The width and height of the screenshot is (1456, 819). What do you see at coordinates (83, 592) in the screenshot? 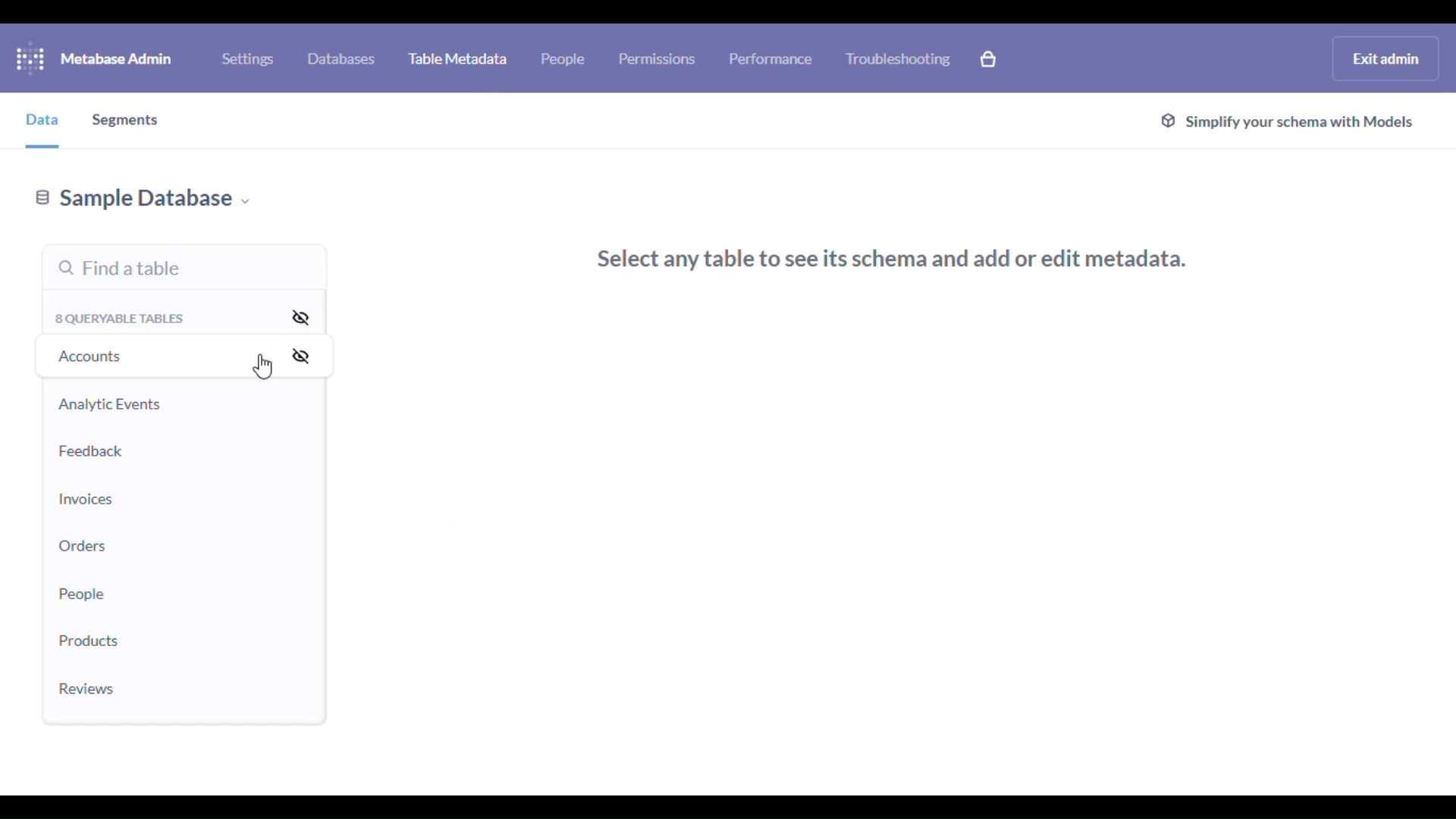
I see `people` at bounding box center [83, 592].